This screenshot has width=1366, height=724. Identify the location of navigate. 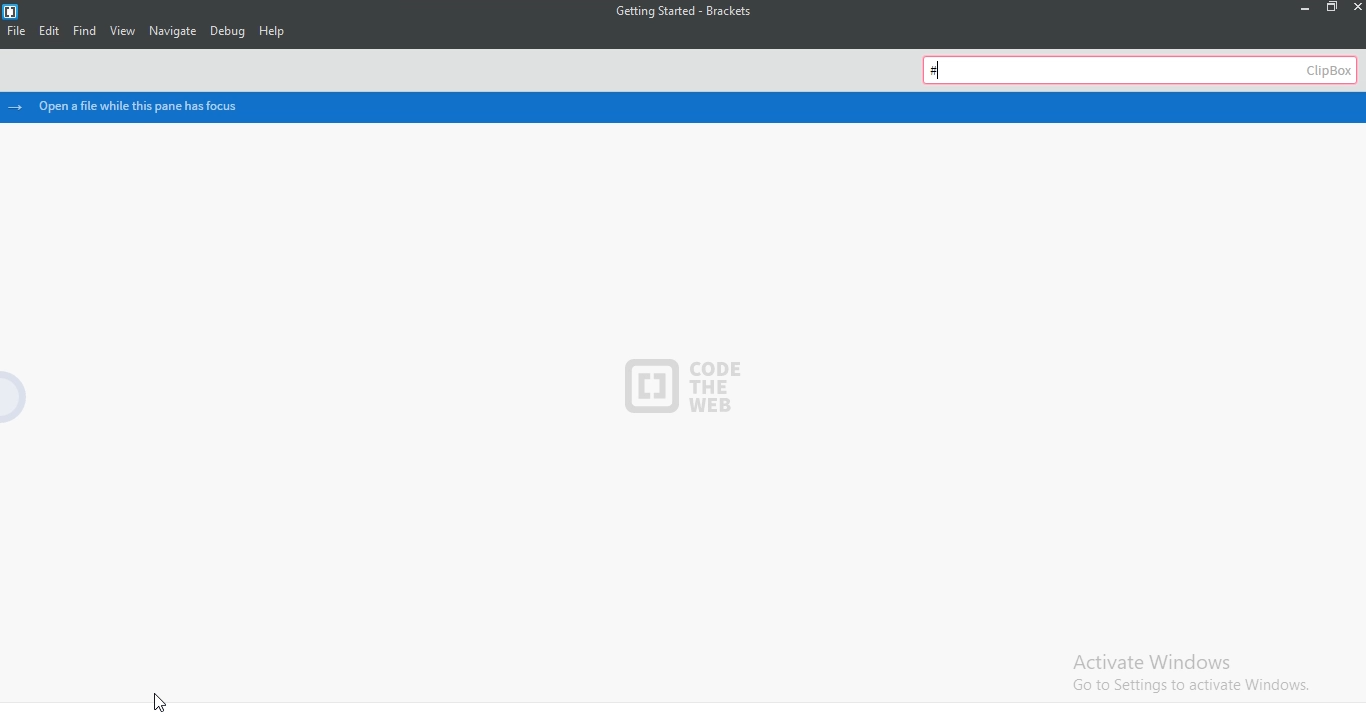
(170, 31).